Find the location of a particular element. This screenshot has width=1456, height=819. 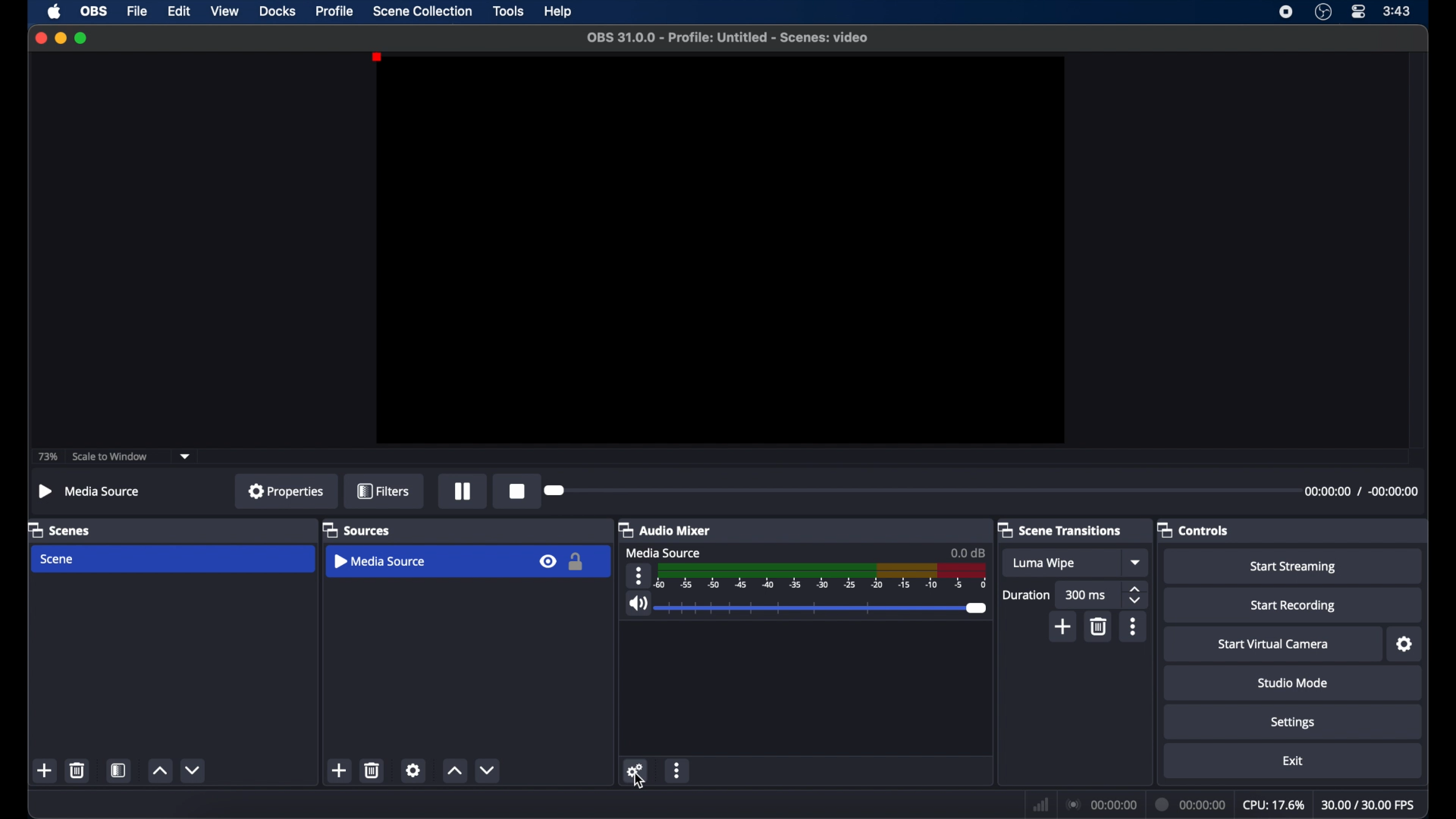

more options is located at coordinates (1134, 626).